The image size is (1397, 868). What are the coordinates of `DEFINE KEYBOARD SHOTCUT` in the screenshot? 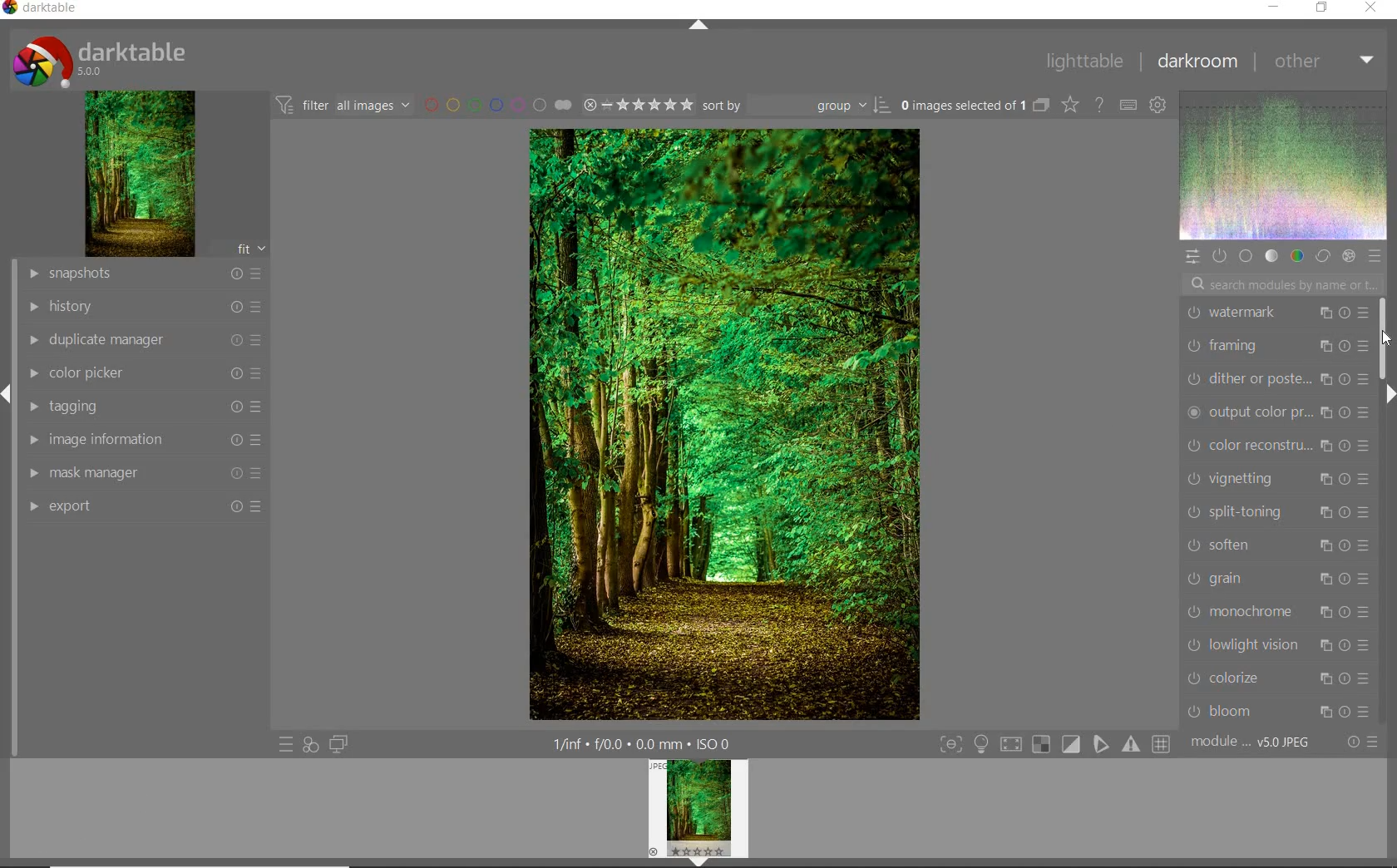 It's located at (1129, 104).